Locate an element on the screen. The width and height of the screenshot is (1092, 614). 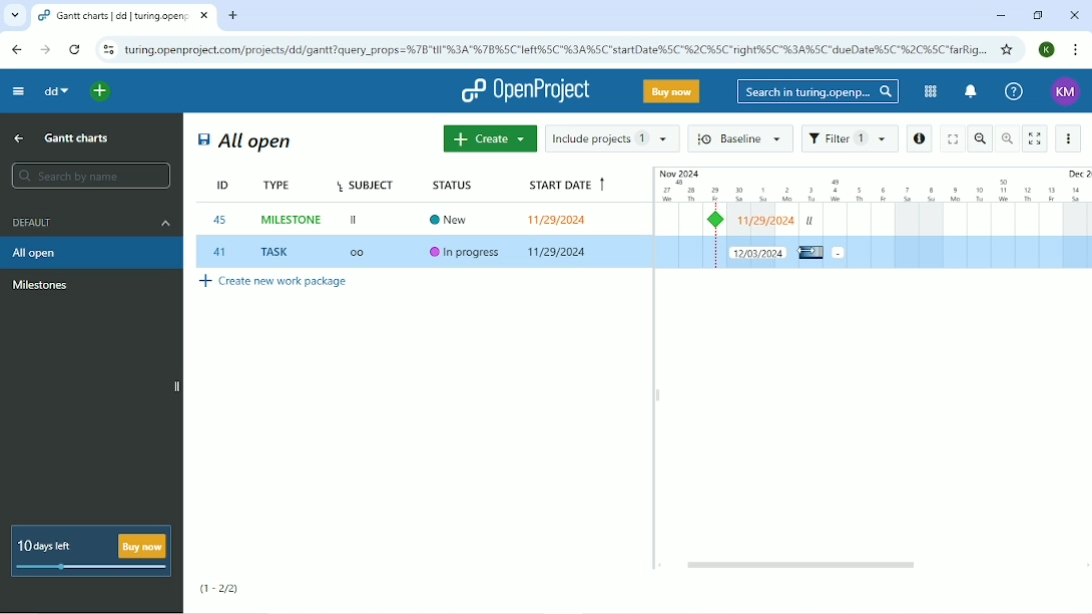
Fullscreen is located at coordinates (951, 138).